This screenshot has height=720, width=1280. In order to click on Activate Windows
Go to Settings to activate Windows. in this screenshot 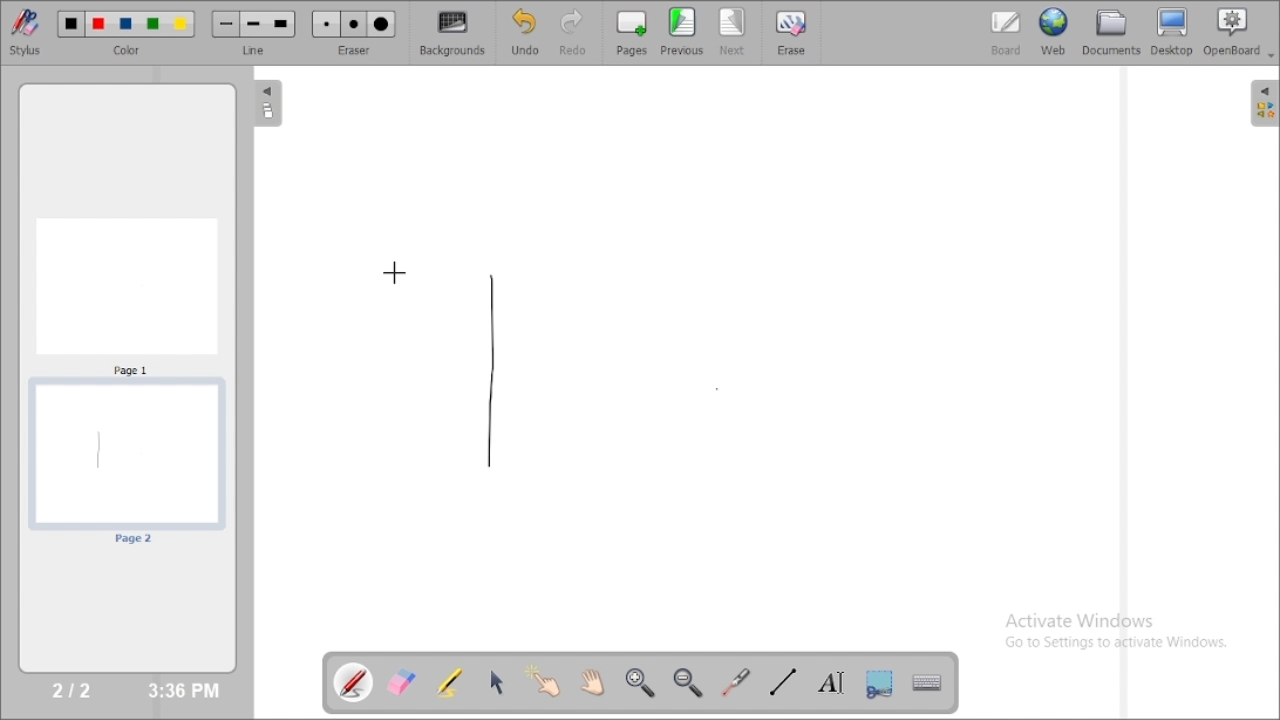, I will do `click(1122, 634)`.